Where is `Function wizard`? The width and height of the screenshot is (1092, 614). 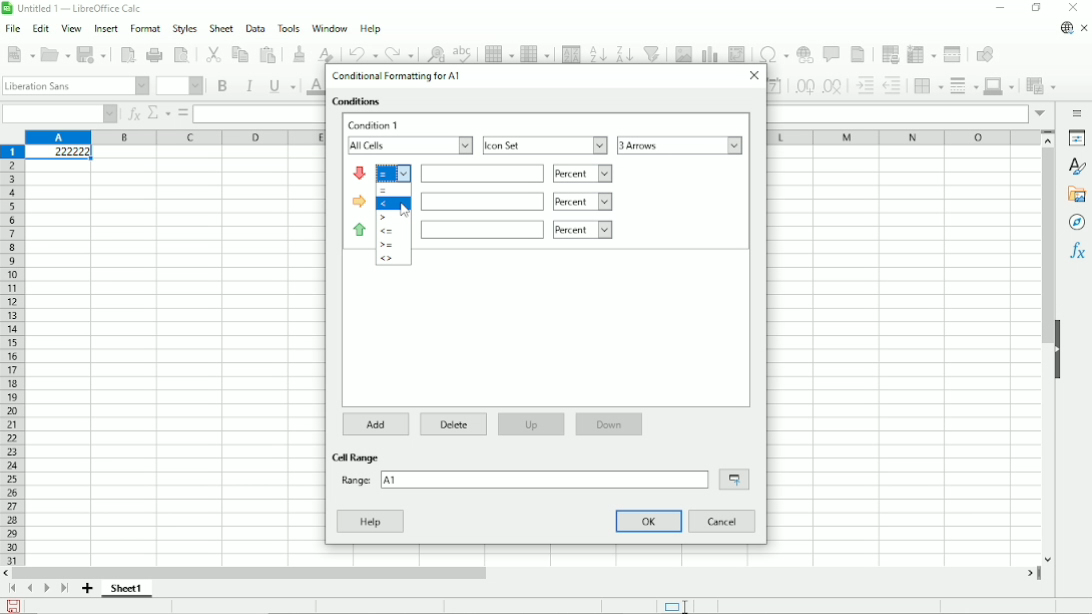
Function wizard is located at coordinates (132, 114).